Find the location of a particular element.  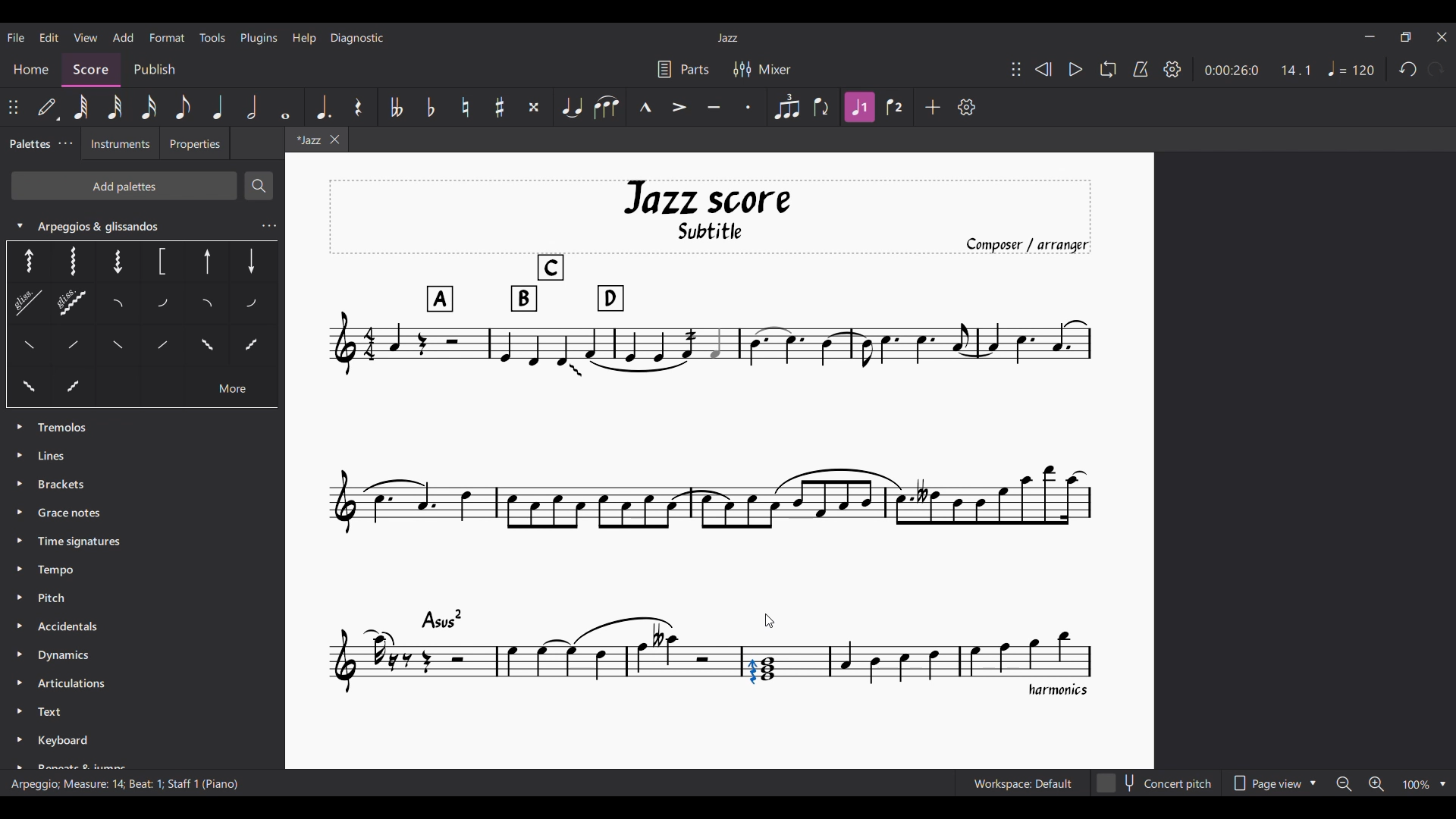

Customization settings is located at coordinates (966, 107).